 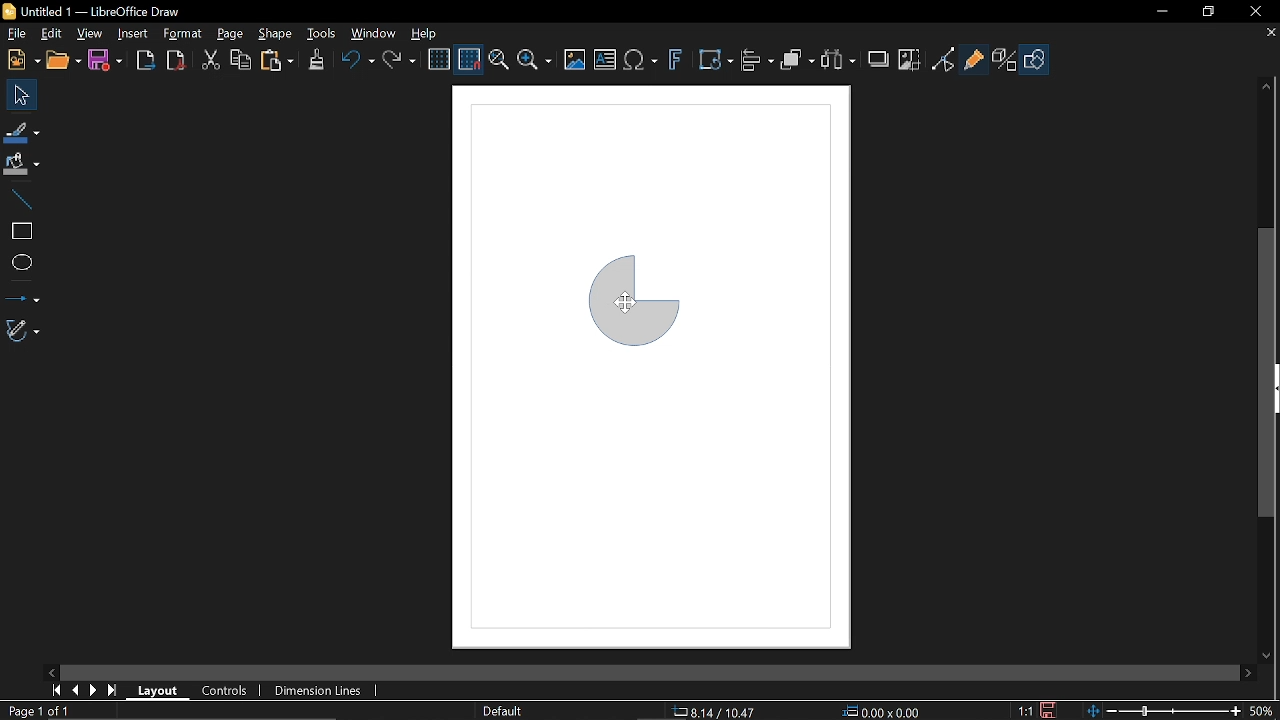 What do you see at coordinates (1271, 86) in the screenshot?
I see `Move up` at bounding box center [1271, 86].